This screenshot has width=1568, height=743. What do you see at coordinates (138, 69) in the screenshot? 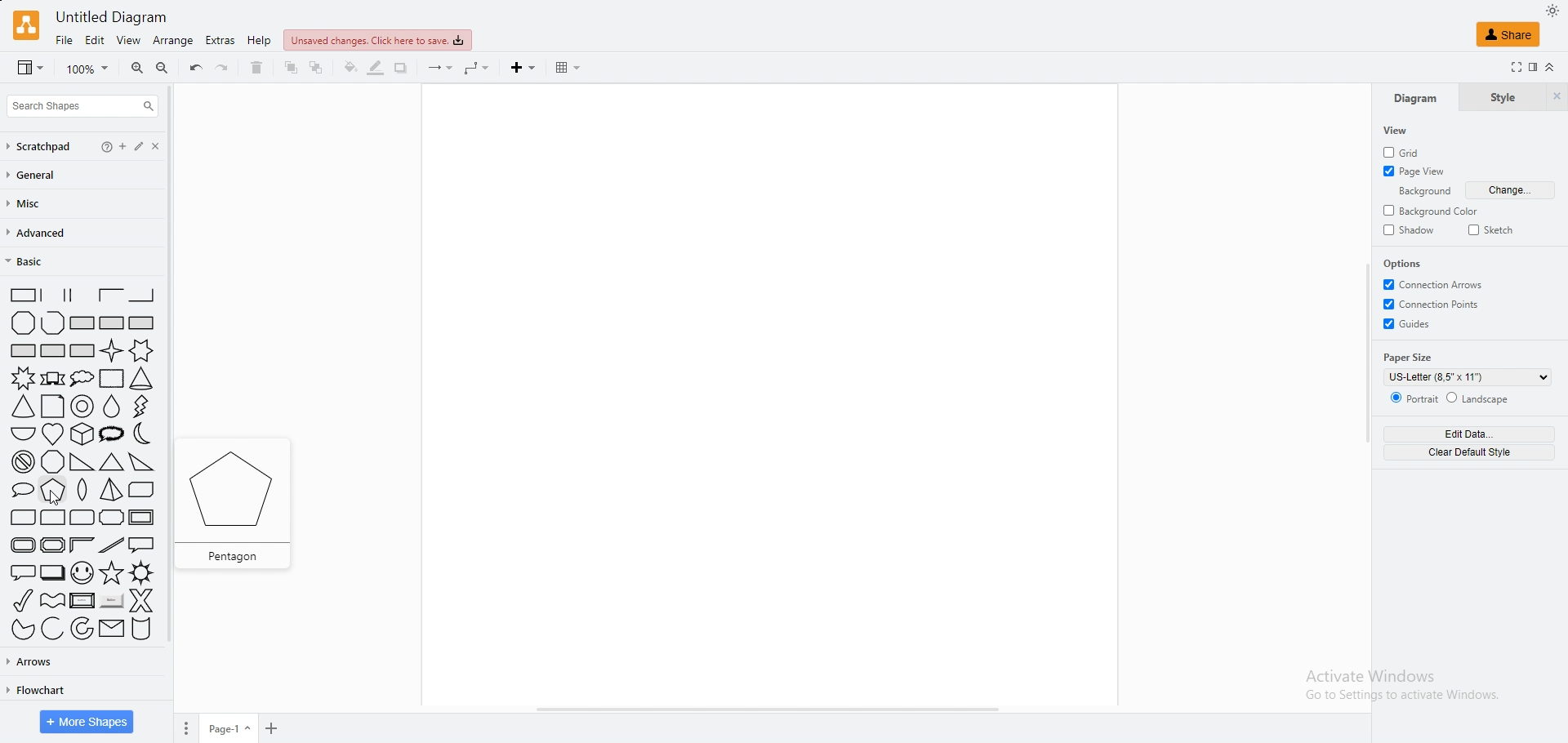
I see `zoom in` at bounding box center [138, 69].